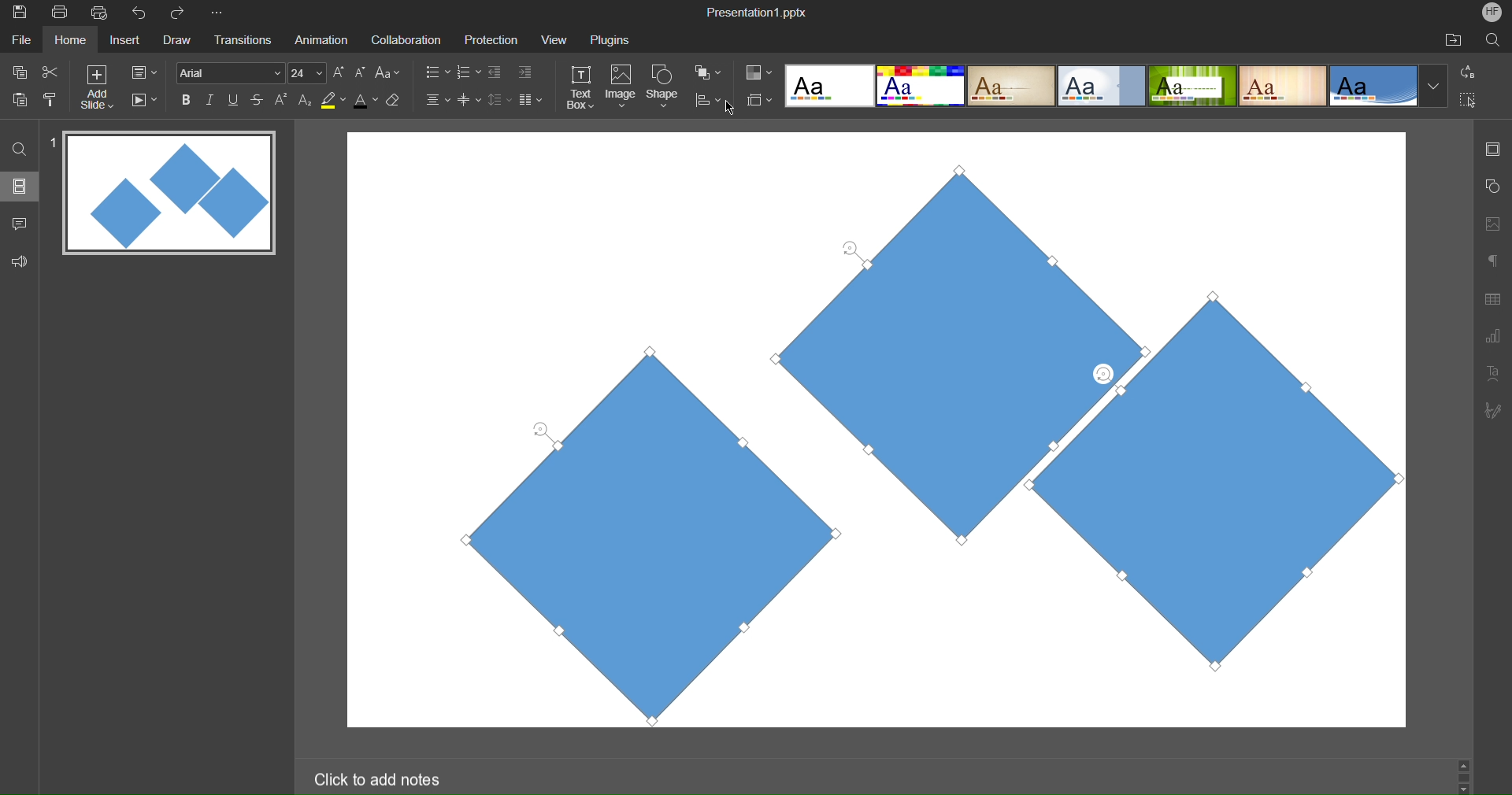  I want to click on Italic, so click(209, 100).